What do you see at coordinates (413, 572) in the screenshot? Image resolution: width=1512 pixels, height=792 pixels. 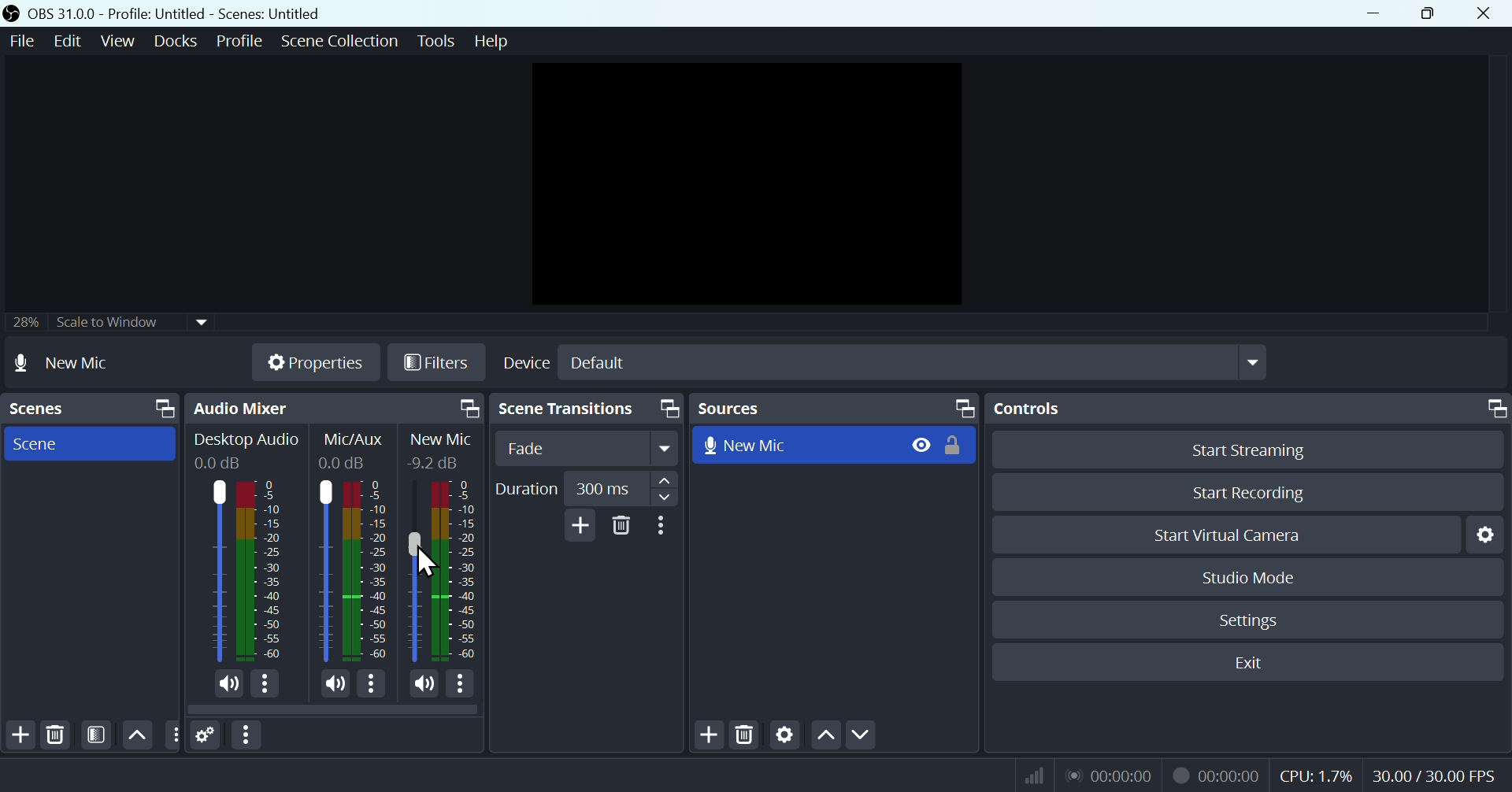 I see `Mic` at bounding box center [413, 572].